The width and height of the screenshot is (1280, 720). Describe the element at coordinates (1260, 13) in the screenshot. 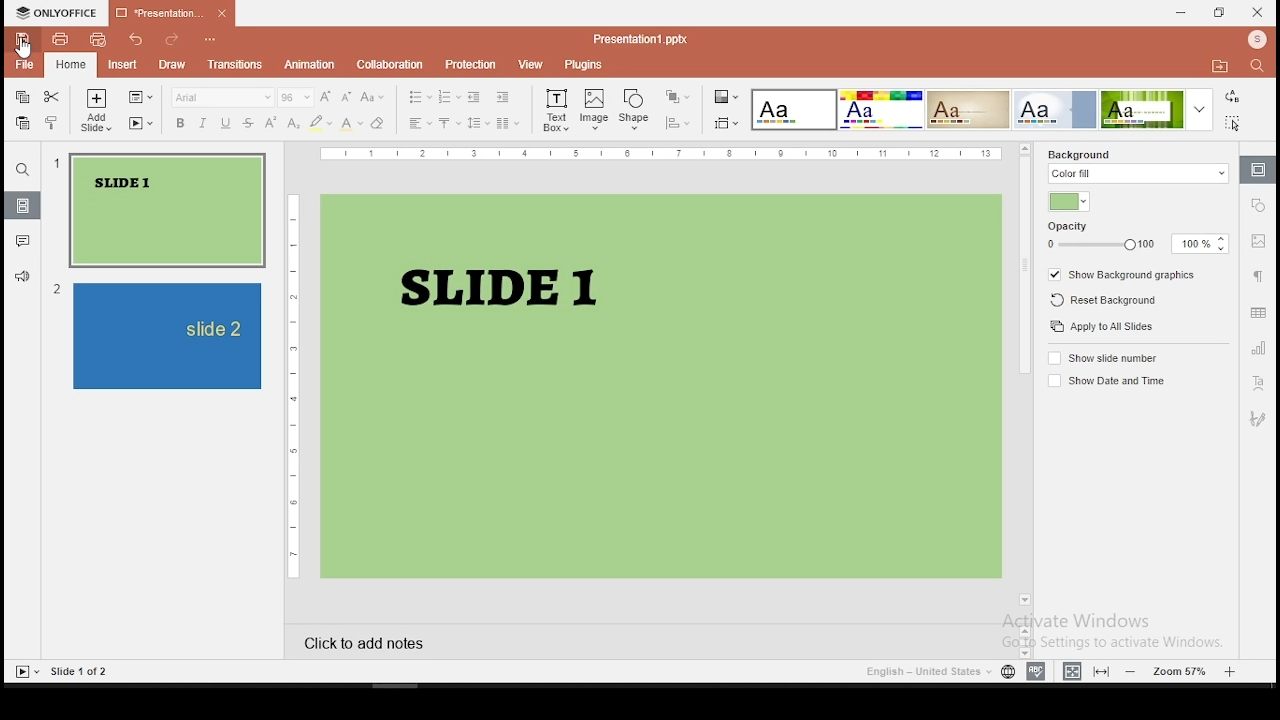

I see `close window` at that location.